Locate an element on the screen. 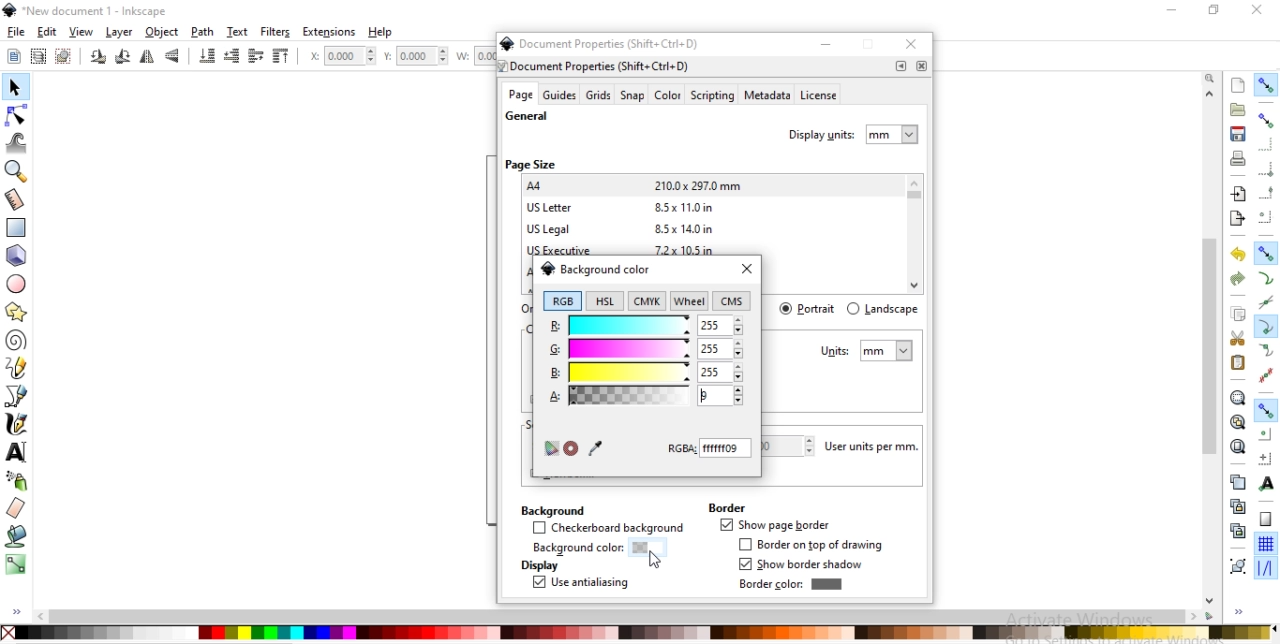  extensions is located at coordinates (329, 33).